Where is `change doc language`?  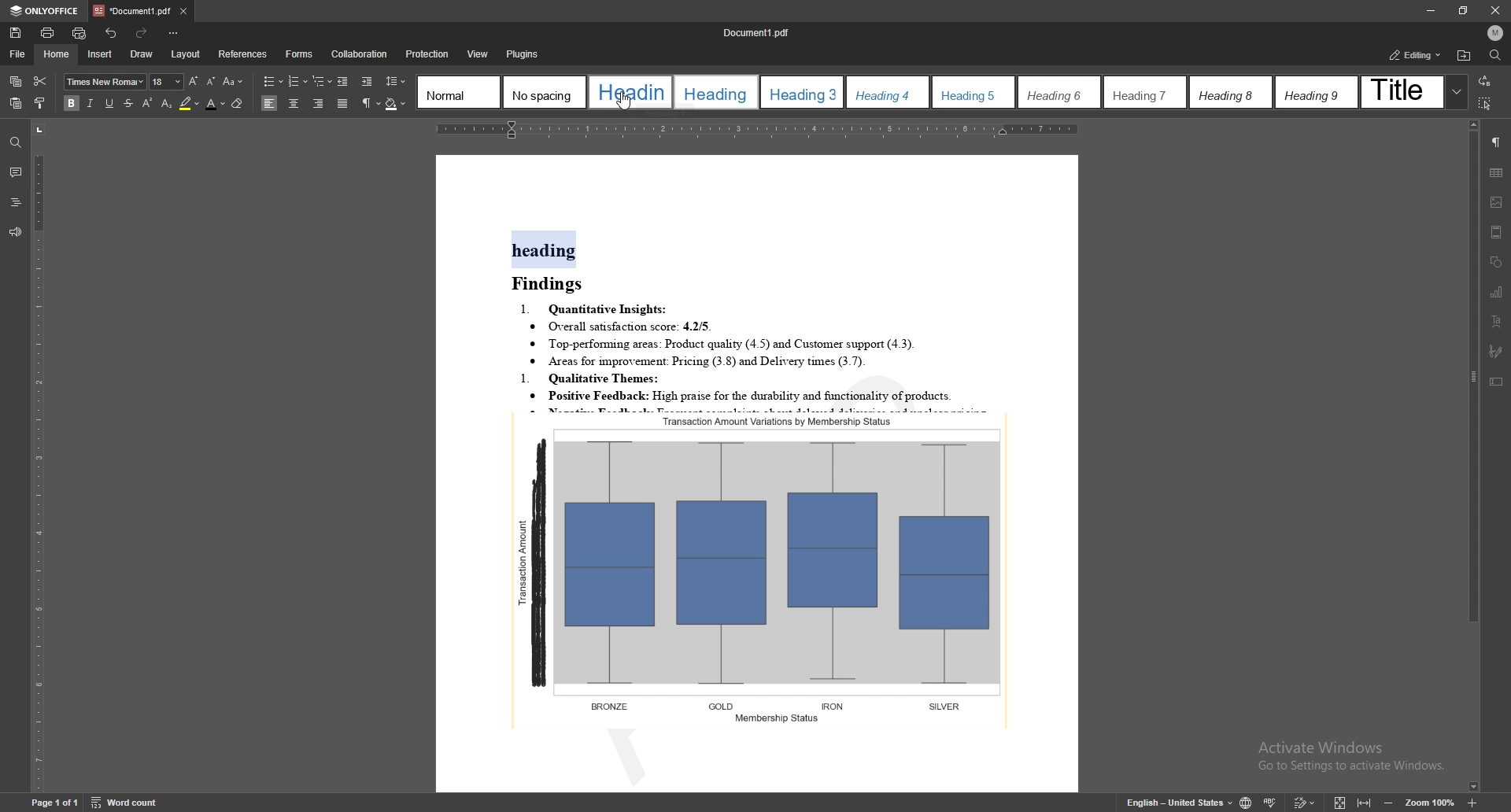
change doc language is located at coordinates (1245, 802).